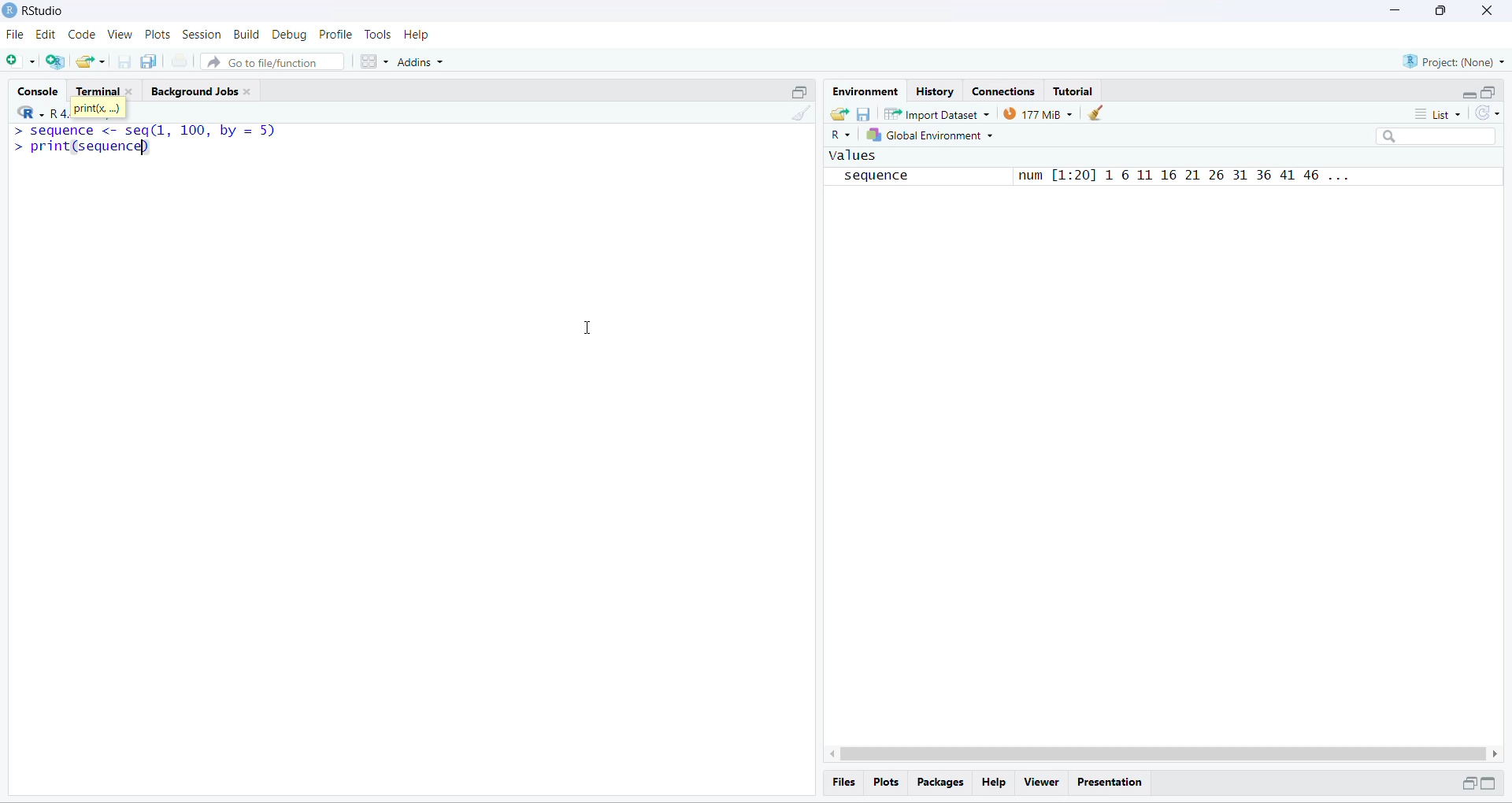  Describe the element at coordinates (291, 35) in the screenshot. I see `debug` at that location.